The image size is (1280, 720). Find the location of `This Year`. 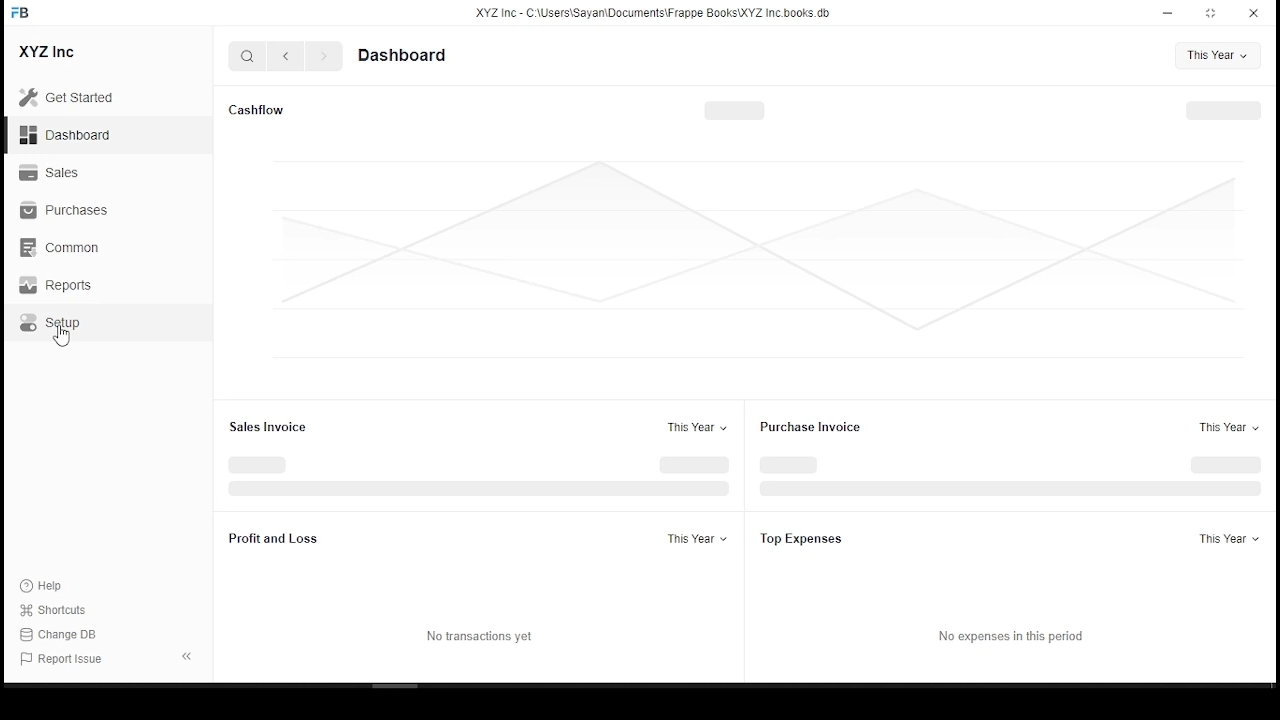

This Year is located at coordinates (695, 539).